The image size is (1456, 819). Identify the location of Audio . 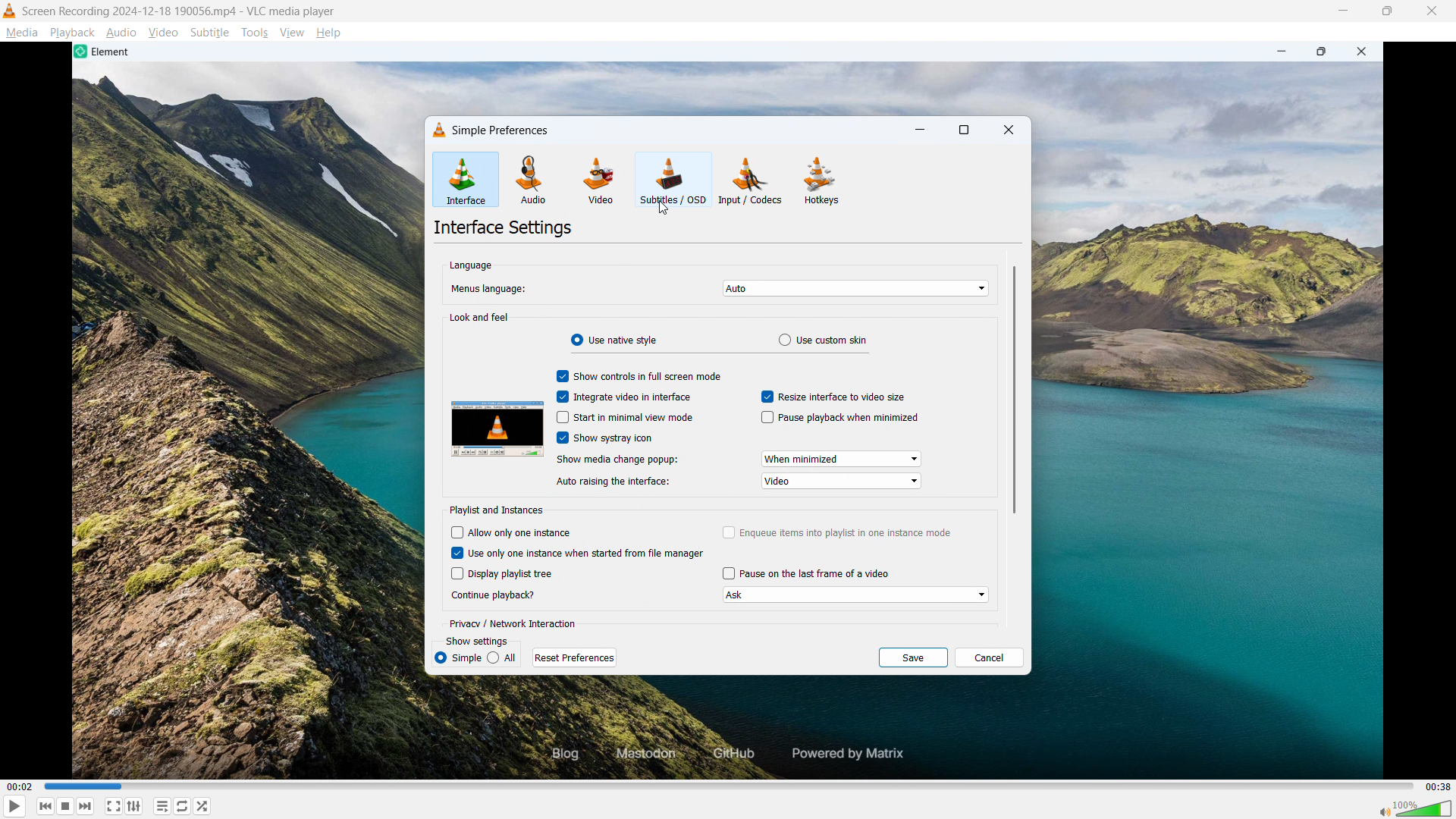
(534, 180).